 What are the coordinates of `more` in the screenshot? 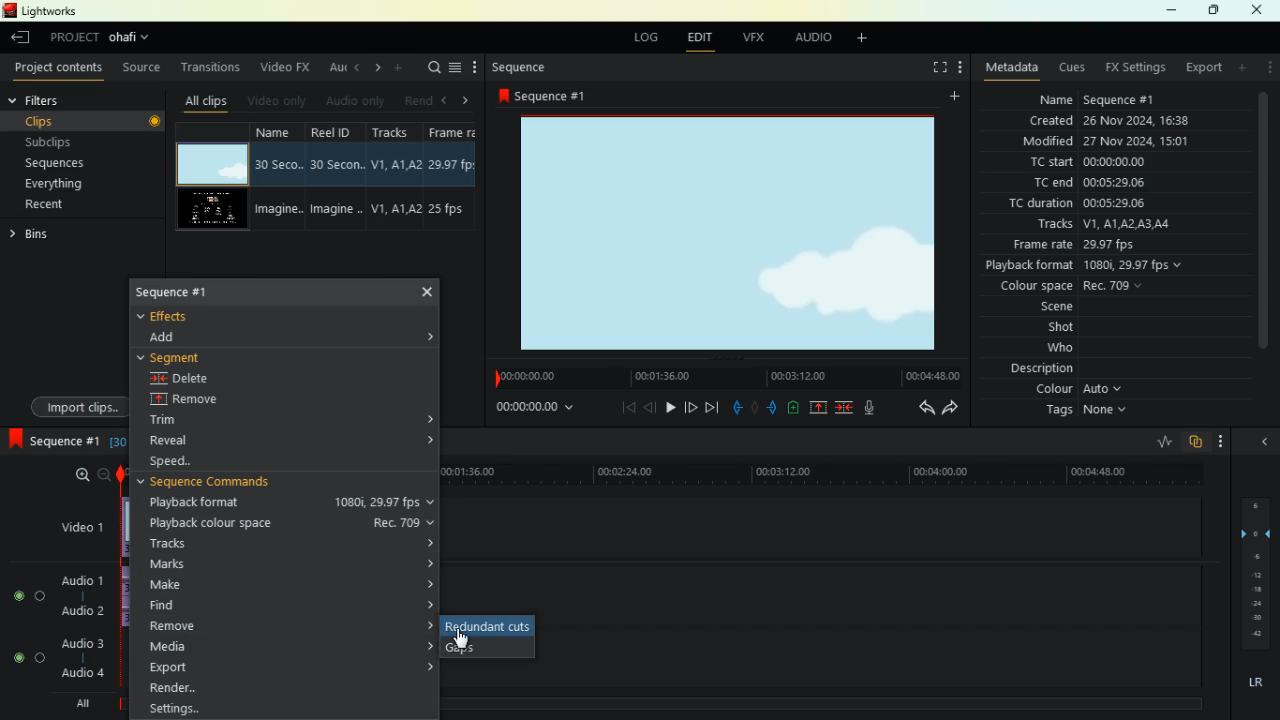 It's located at (962, 65).